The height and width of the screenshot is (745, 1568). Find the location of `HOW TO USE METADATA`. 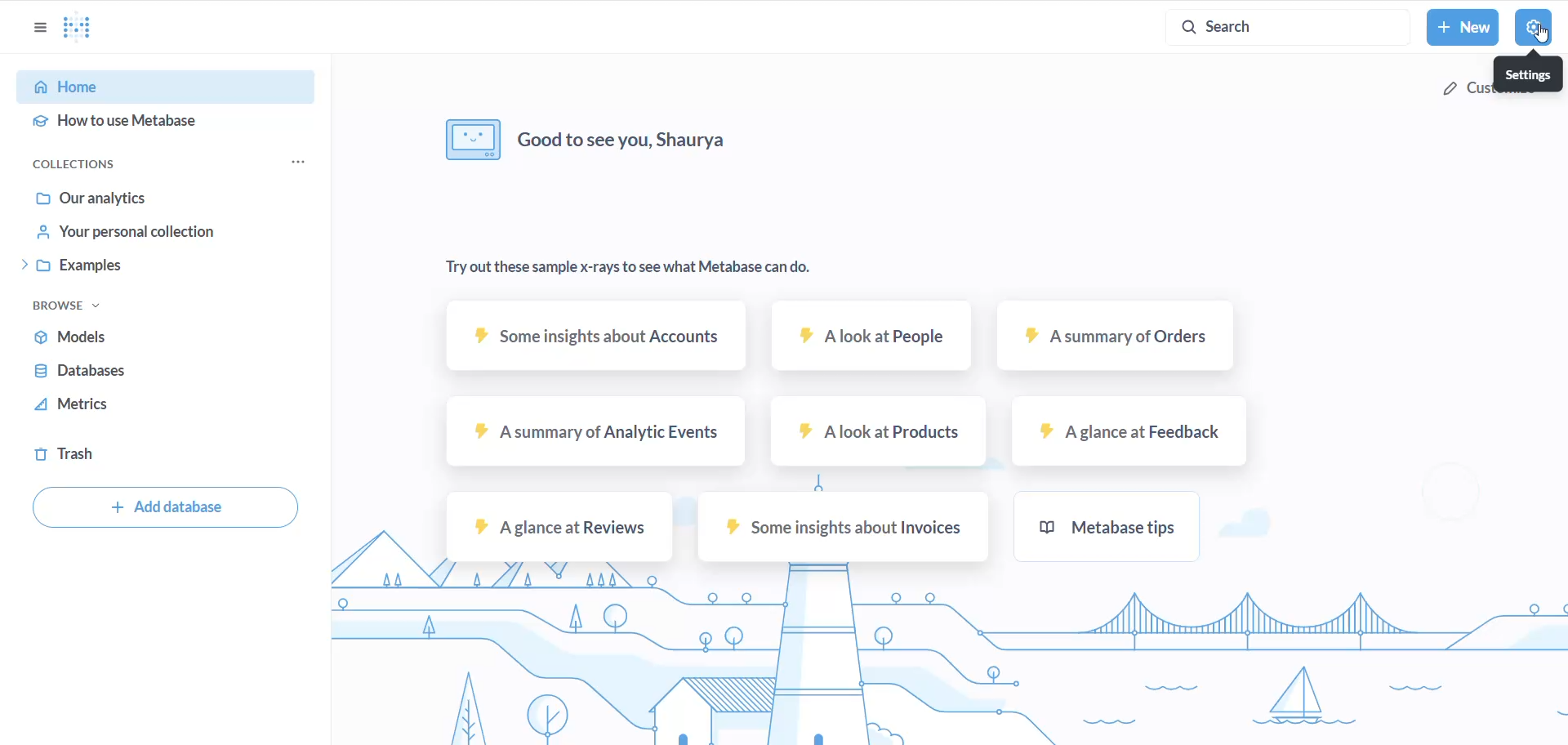

HOW TO USE METADATA is located at coordinates (165, 126).